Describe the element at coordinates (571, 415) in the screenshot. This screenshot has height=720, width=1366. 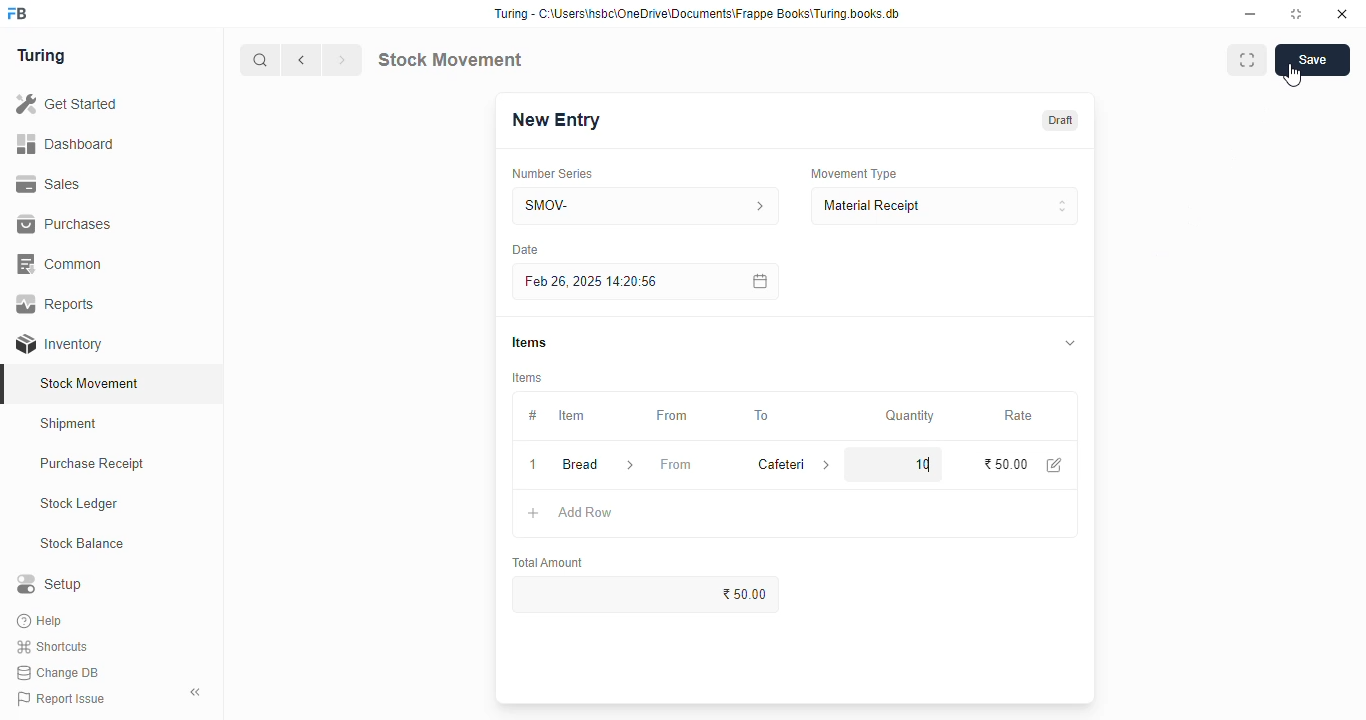
I see `item` at that location.